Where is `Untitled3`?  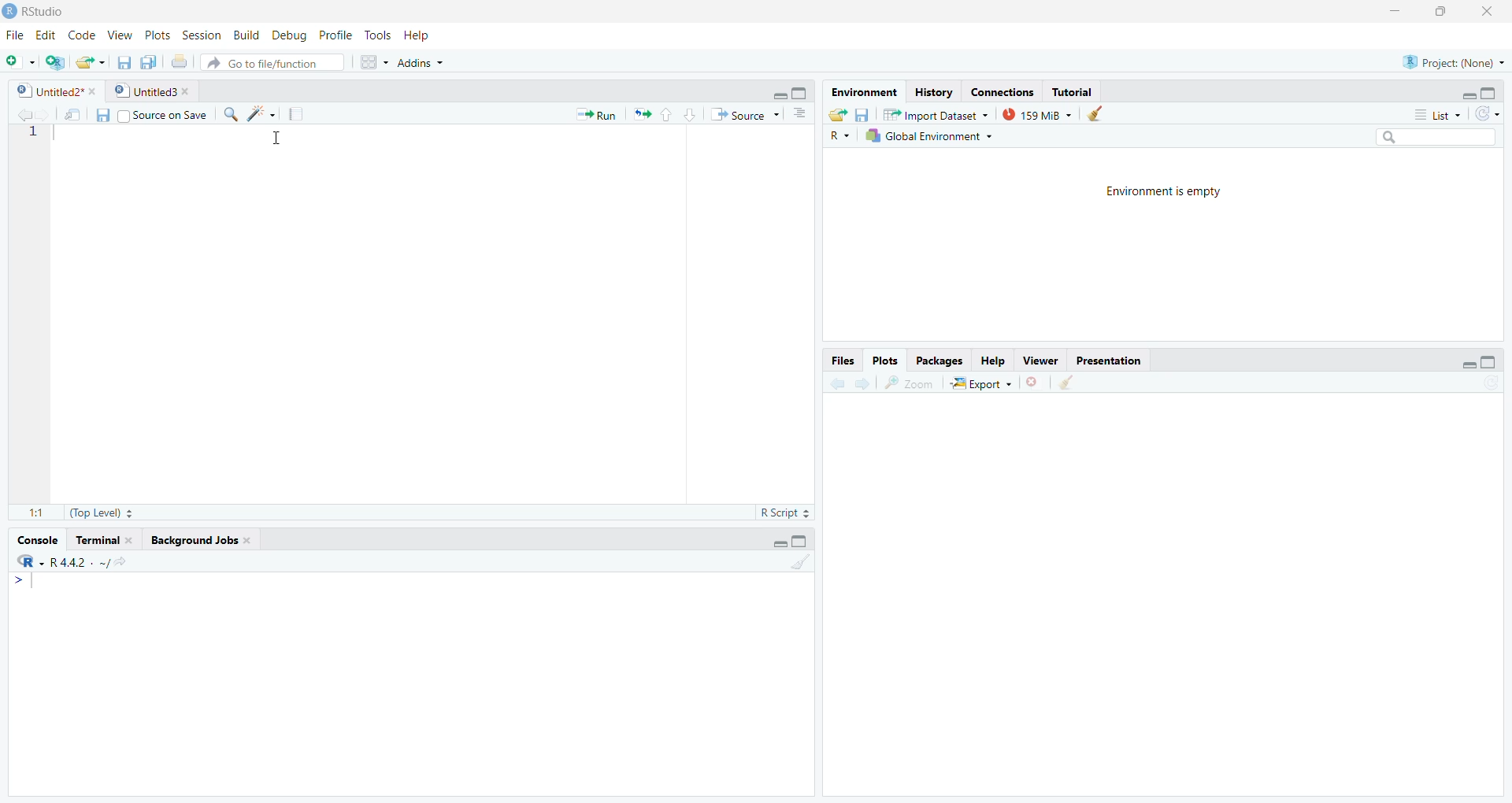
Untitled3 is located at coordinates (151, 90).